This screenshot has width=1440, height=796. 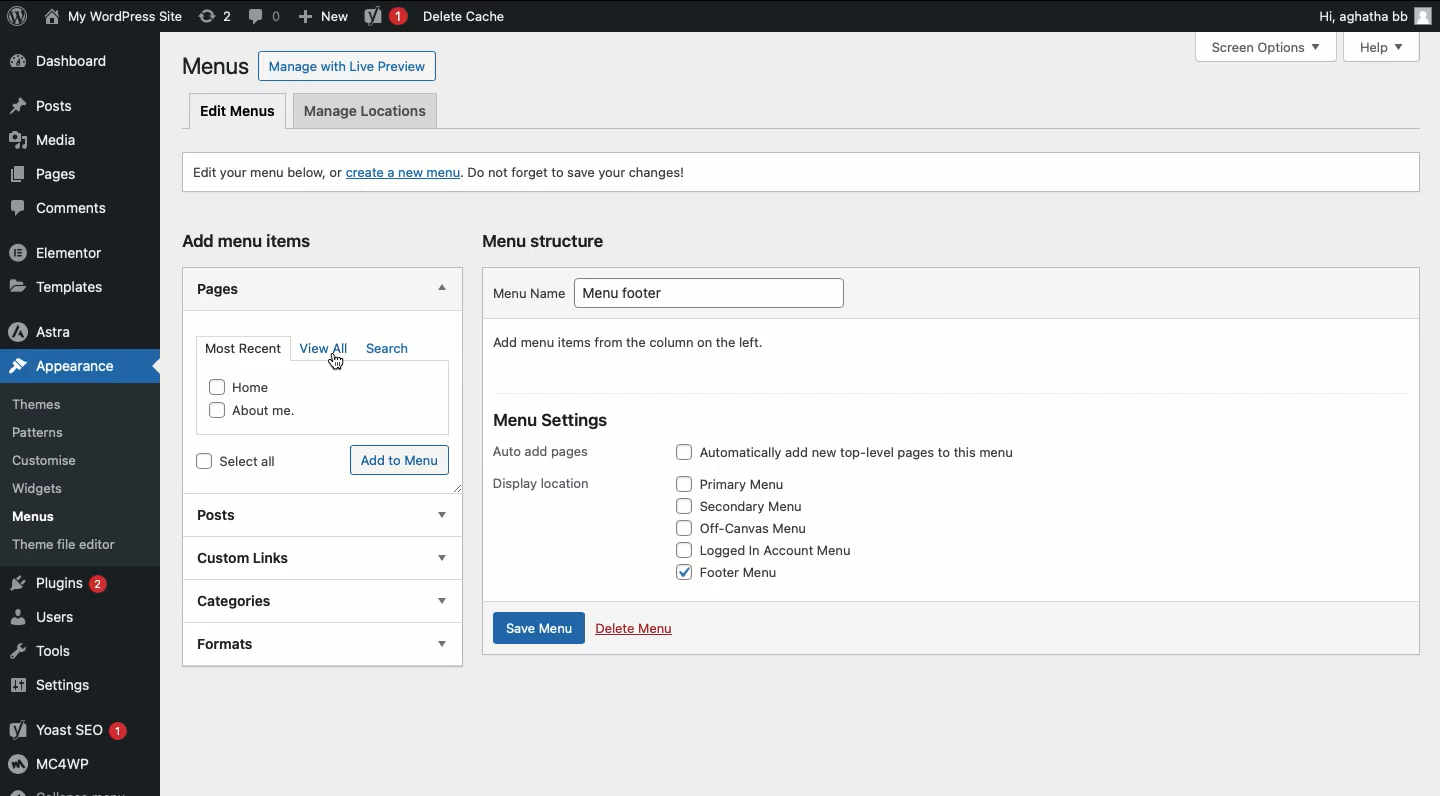 I want to click on Plugins 2, so click(x=75, y=584).